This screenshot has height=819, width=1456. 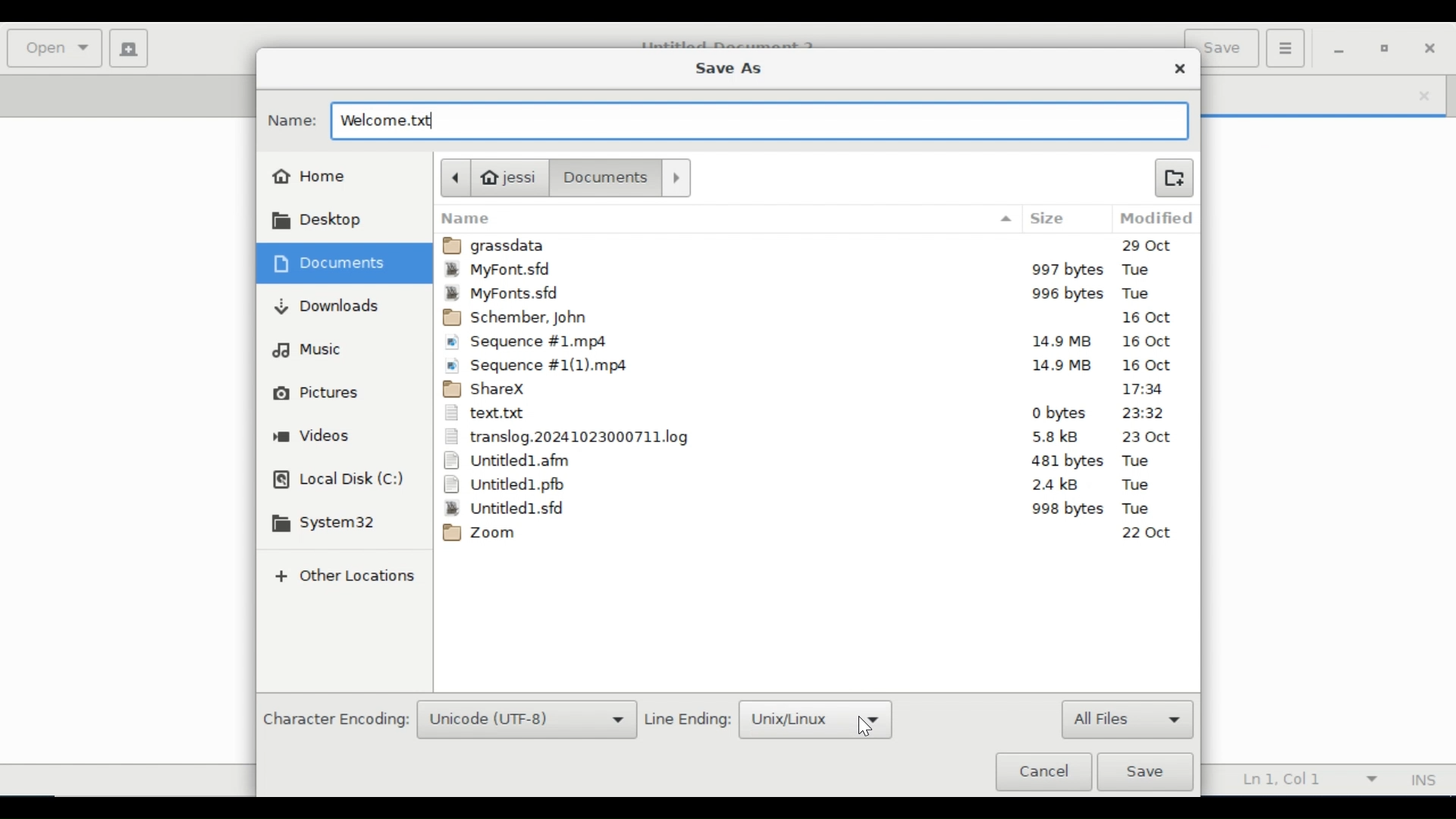 What do you see at coordinates (811, 437) in the screenshot?
I see `translog.2024102410323000711.log 5.8kB 23Oct` at bounding box center [811, 437].